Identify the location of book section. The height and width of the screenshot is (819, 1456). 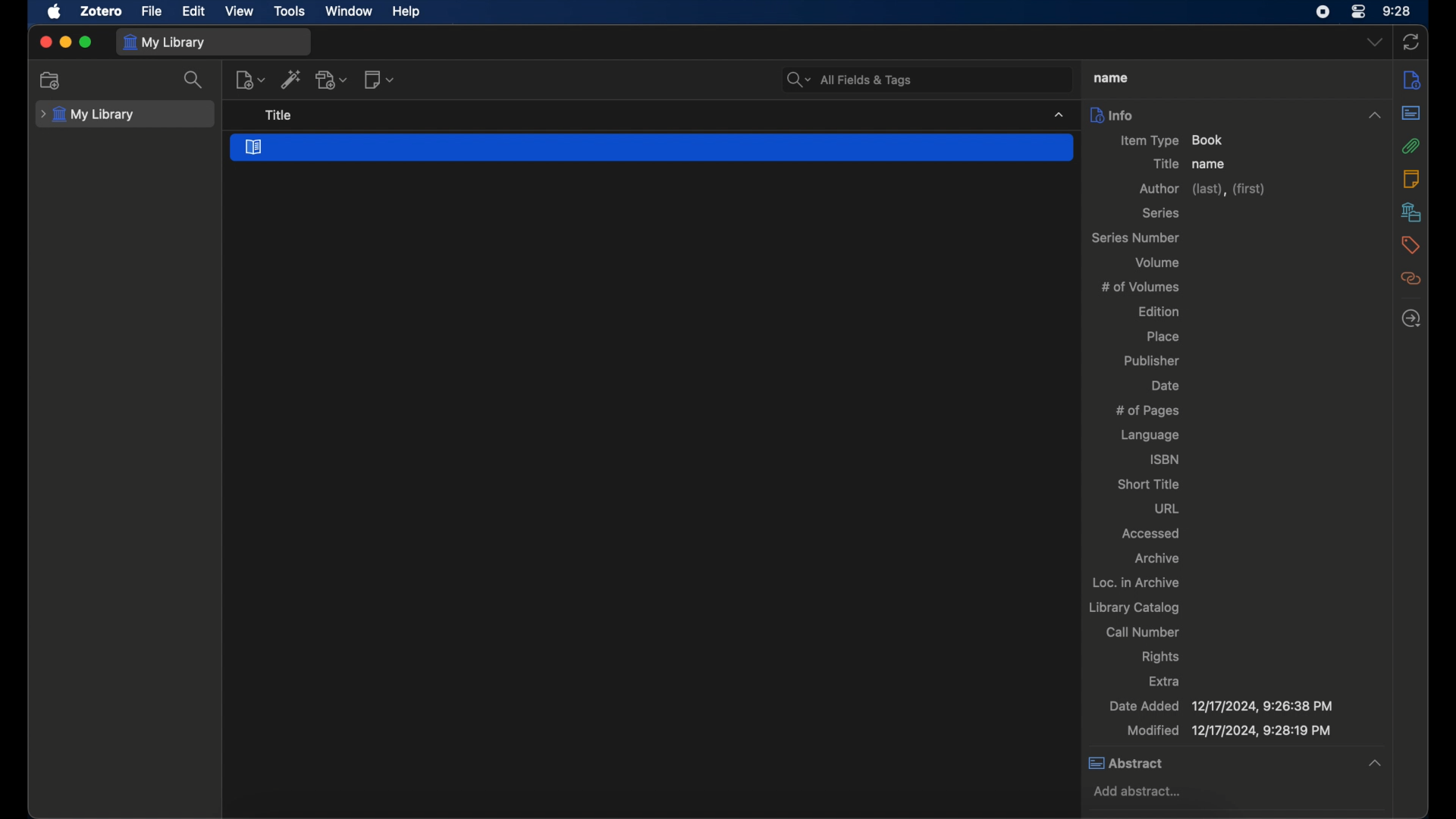
(651, 148).